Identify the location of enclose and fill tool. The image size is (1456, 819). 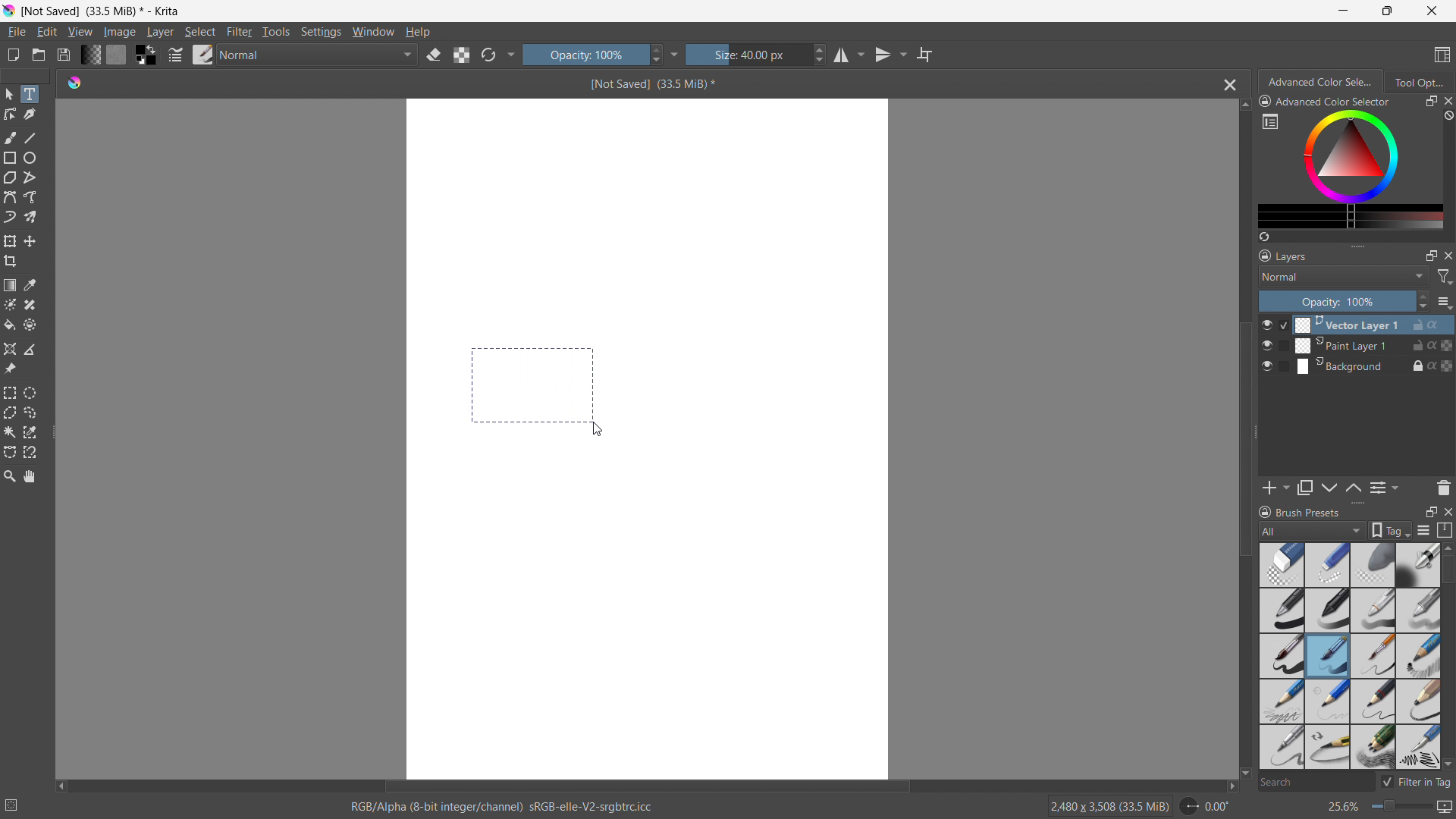
(30, 325).